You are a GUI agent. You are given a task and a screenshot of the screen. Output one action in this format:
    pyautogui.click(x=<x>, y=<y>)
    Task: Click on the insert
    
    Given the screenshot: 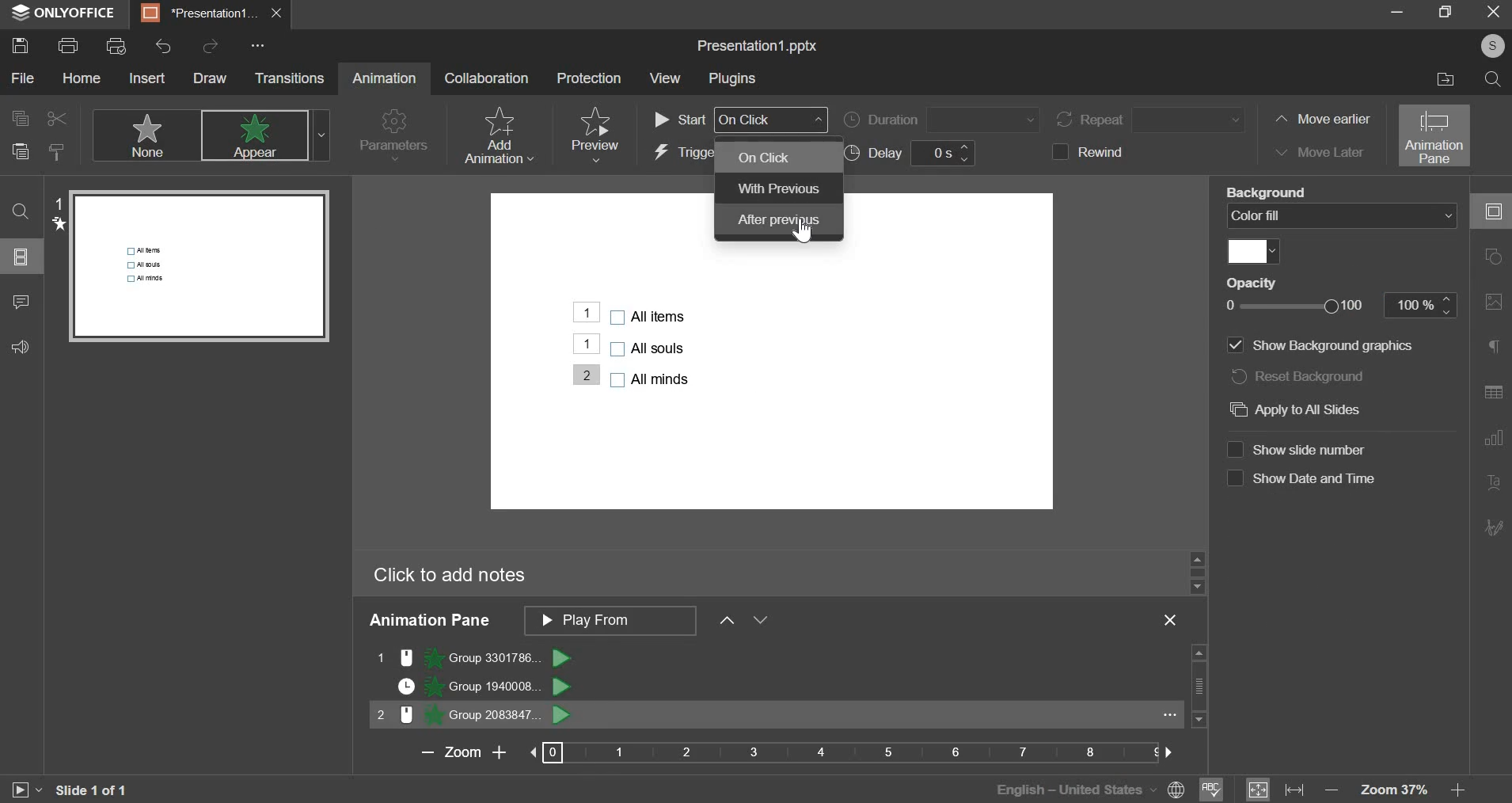 What is the action you would take?
    pyautogui.click(x=146, y=78)
    